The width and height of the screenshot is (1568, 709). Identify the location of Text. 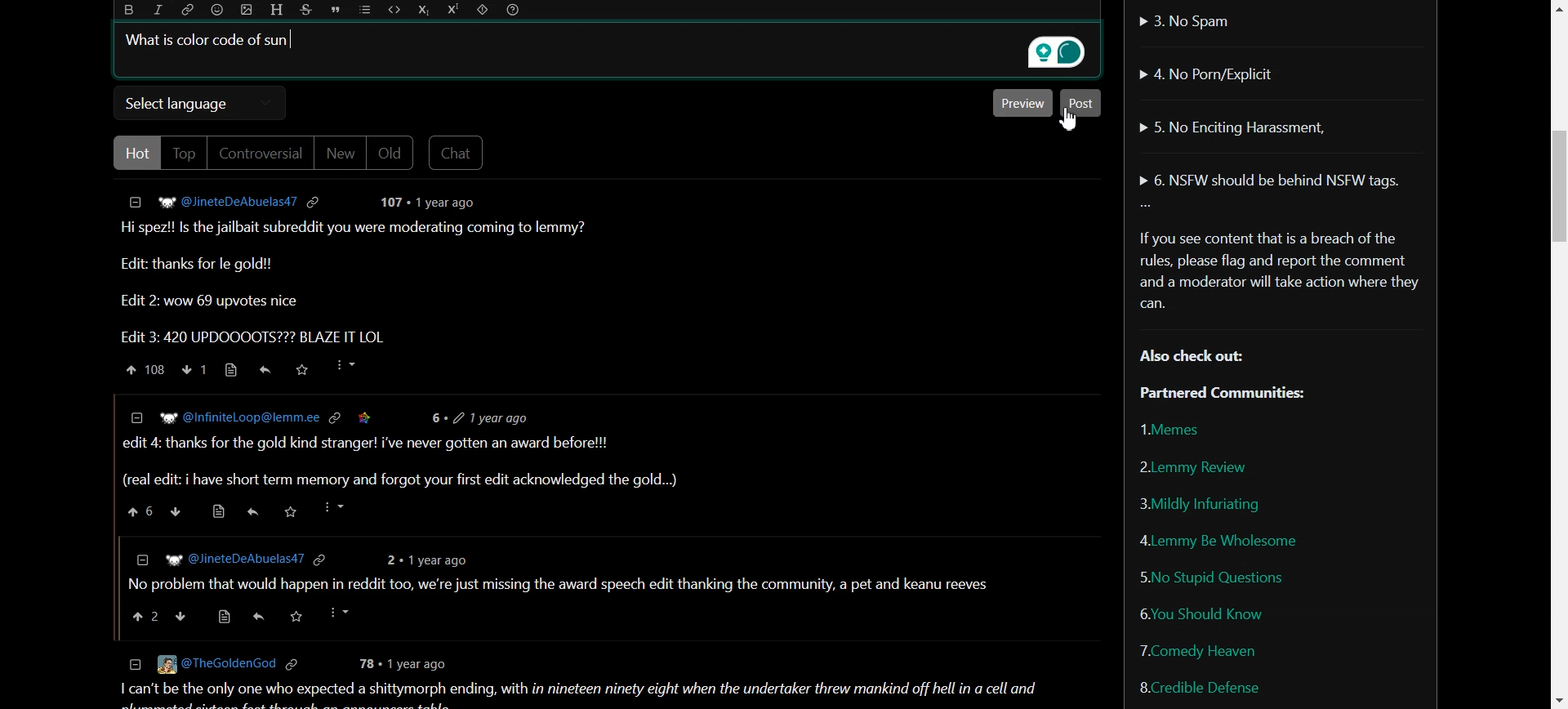
(203, 39).